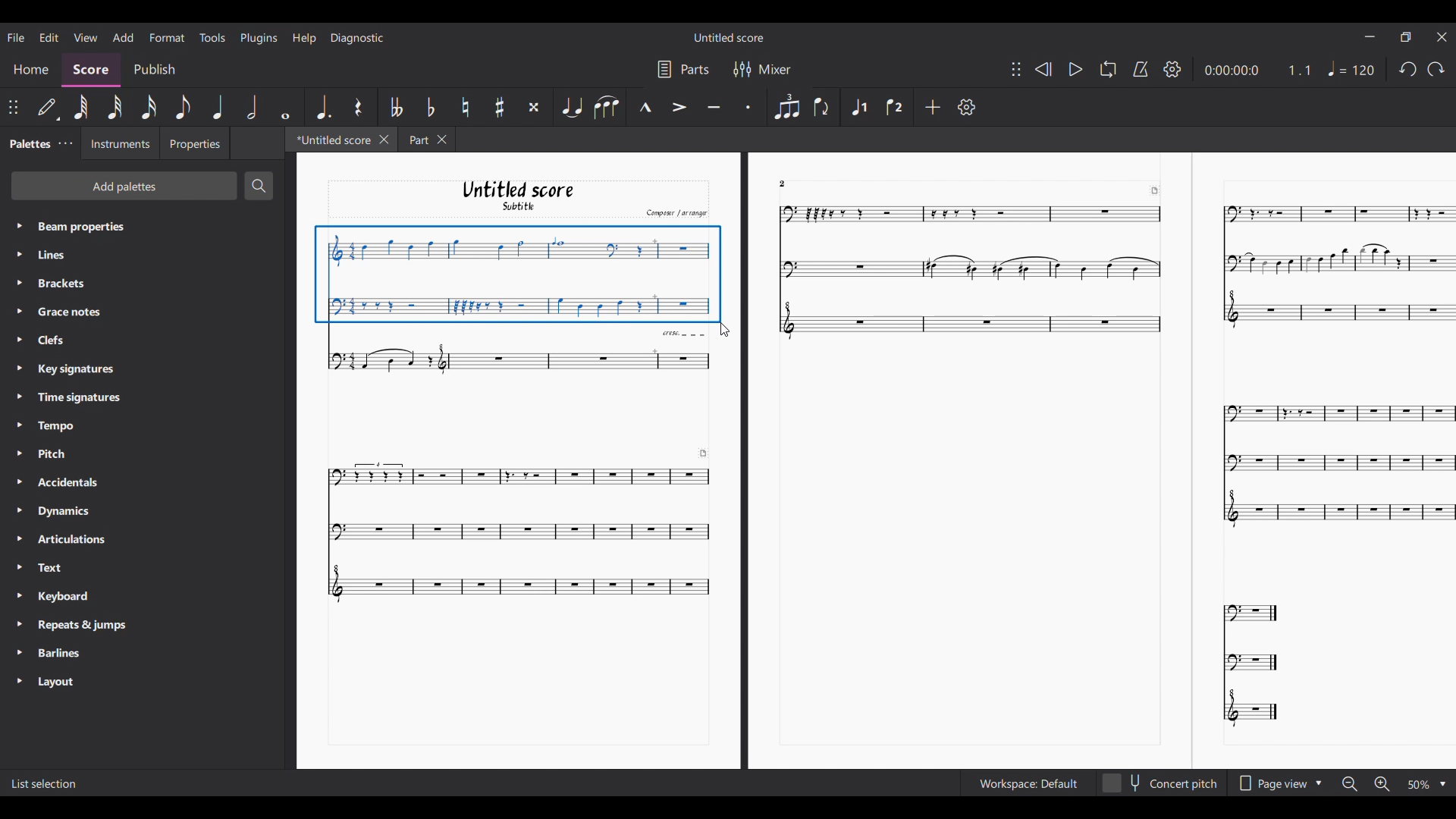 This screenshot has width=1456, height=819. Describe the element at coordinates (64, 340) in the screenshot. I see `Clefs` at that location.